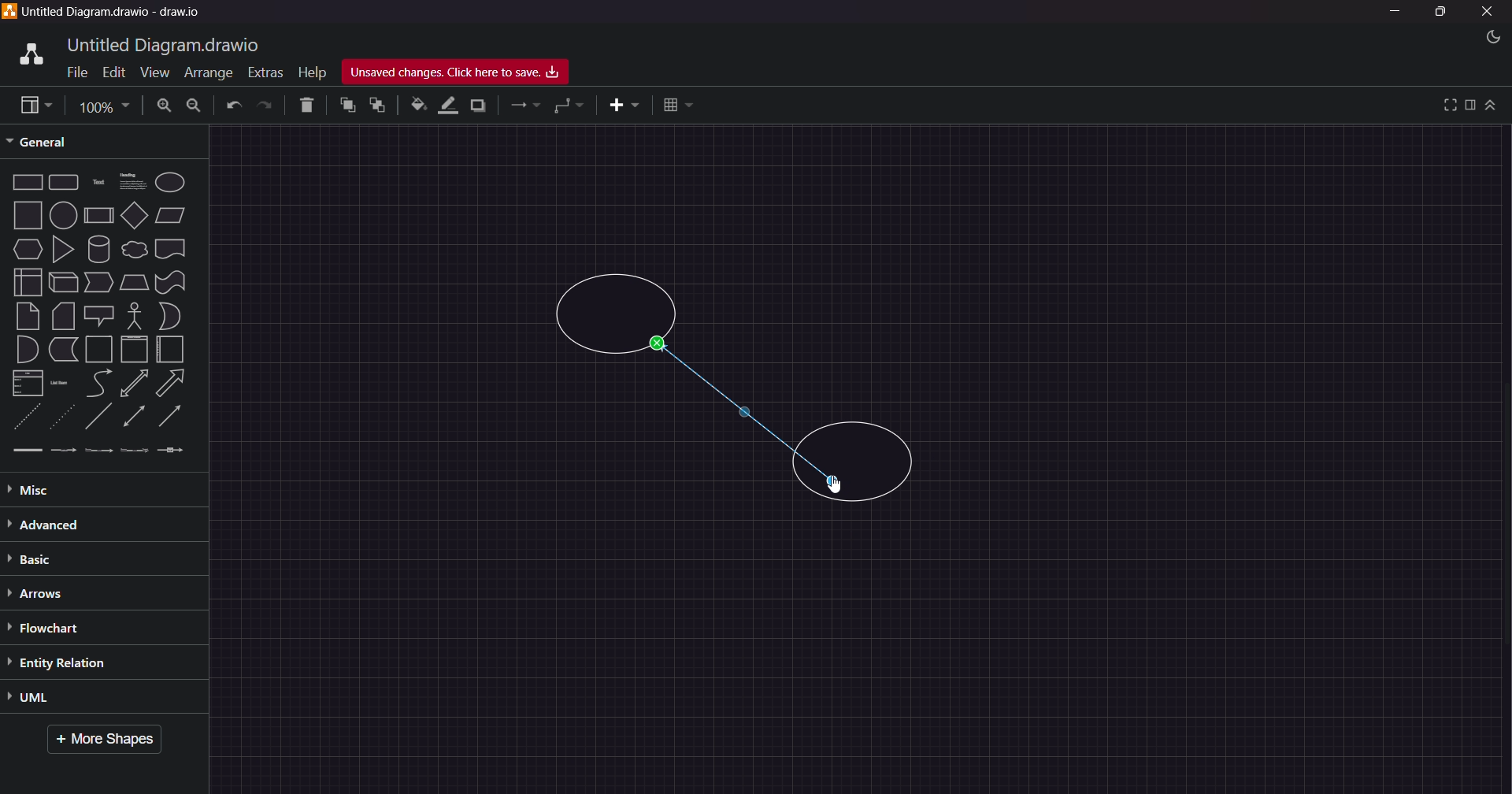 Image resolution: width=1512 pixels, height=794 pixels. What do you see at coordinates (195, 107) in the screenshot?
I see `Zoom Out` at bounding box center [195, 107].